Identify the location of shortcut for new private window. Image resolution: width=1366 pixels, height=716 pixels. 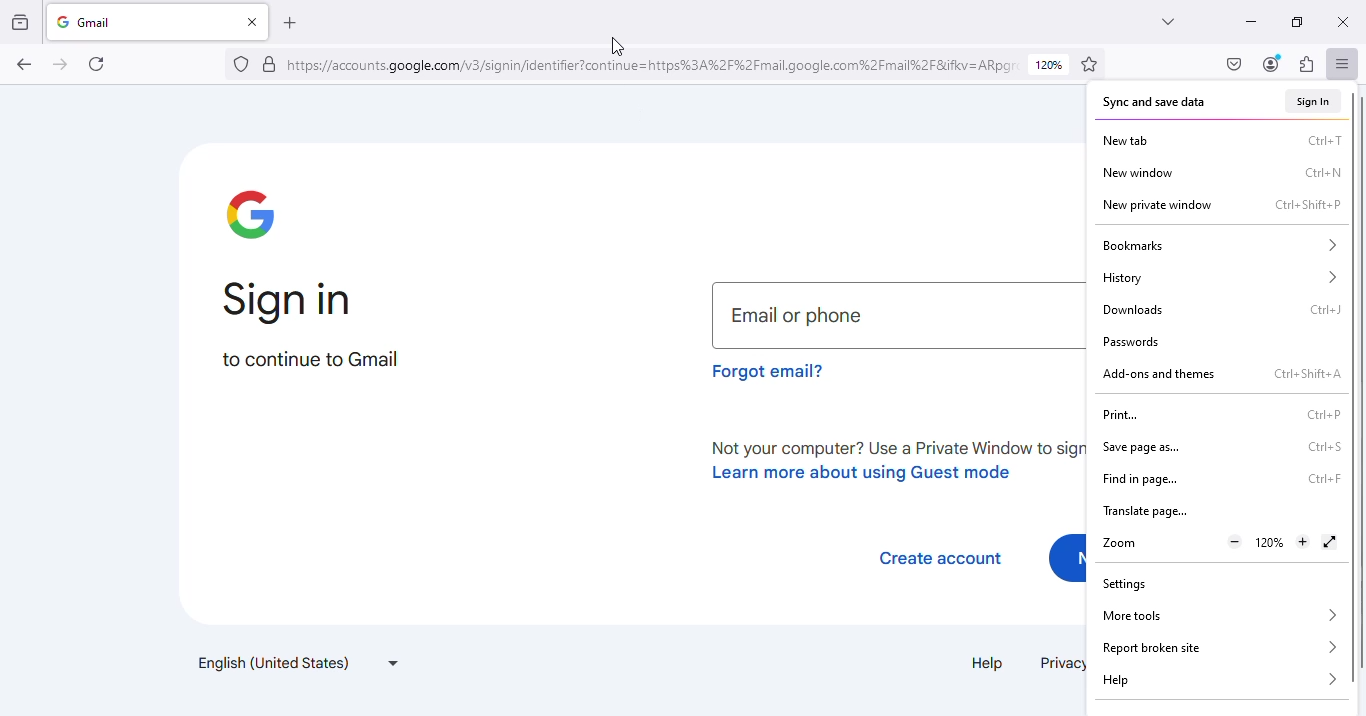
(1308, 206).